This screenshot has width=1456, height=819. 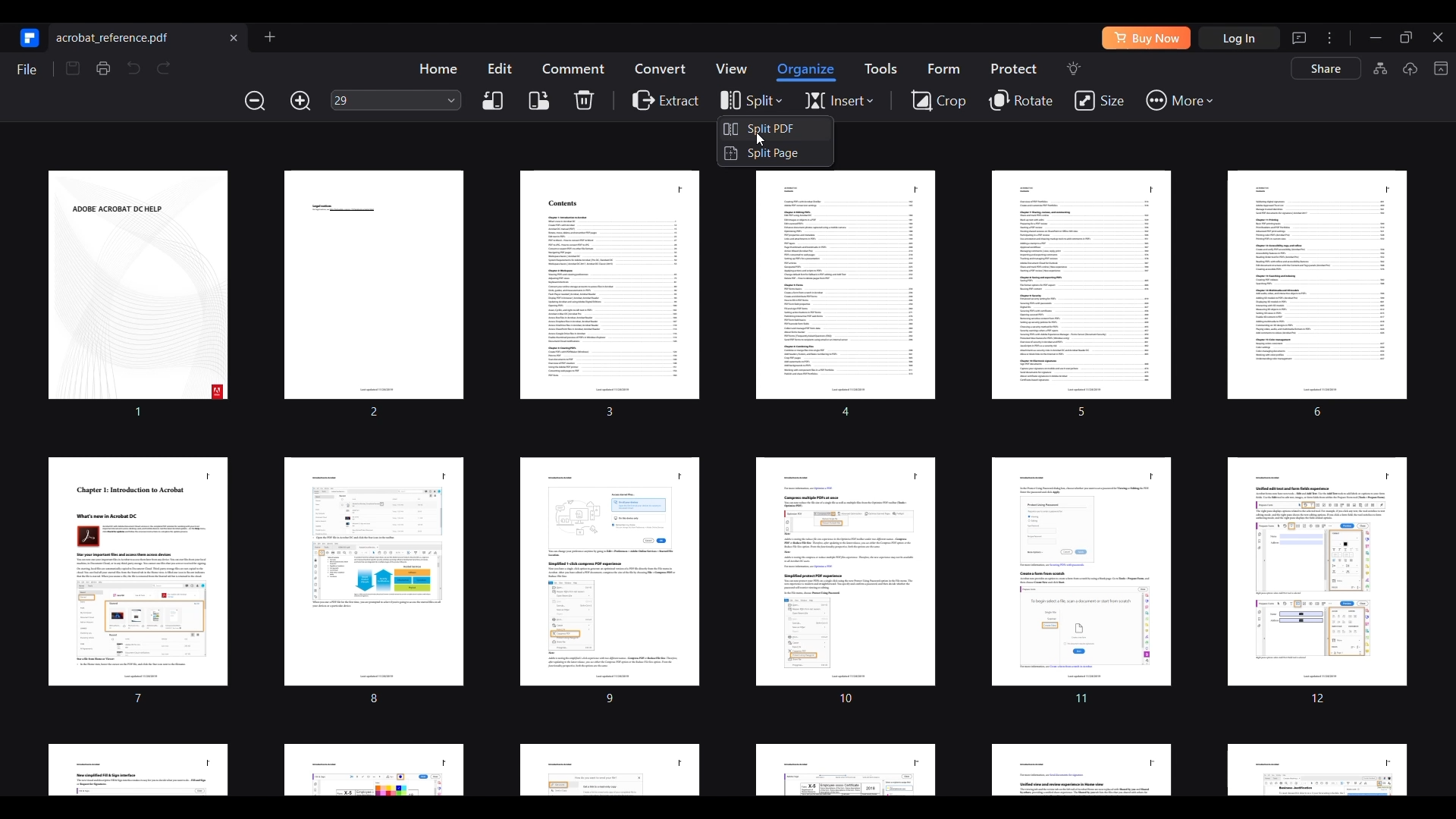 I want to click on Zoom out, so click(x=256, y=100).